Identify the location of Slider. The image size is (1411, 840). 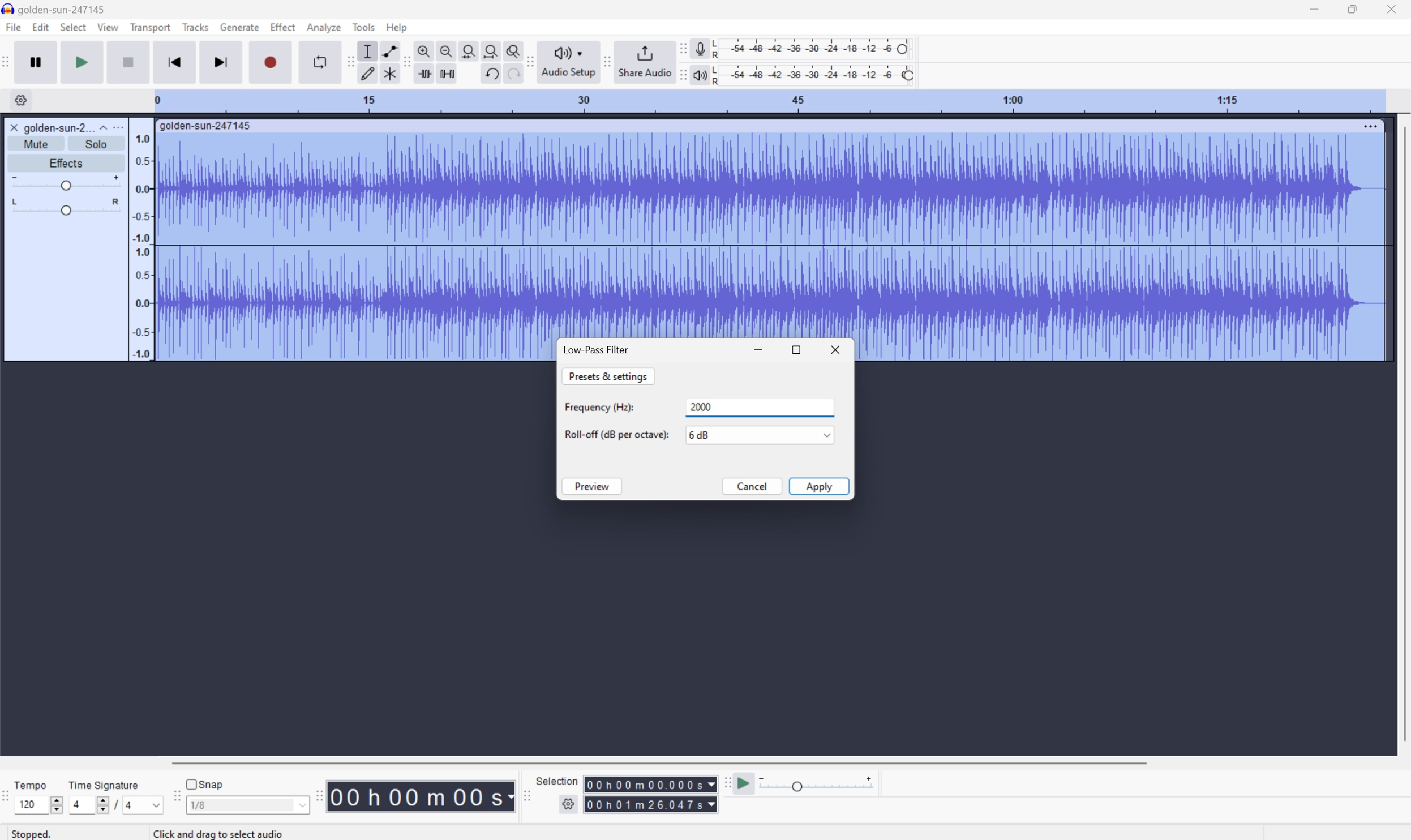
(66, 207).